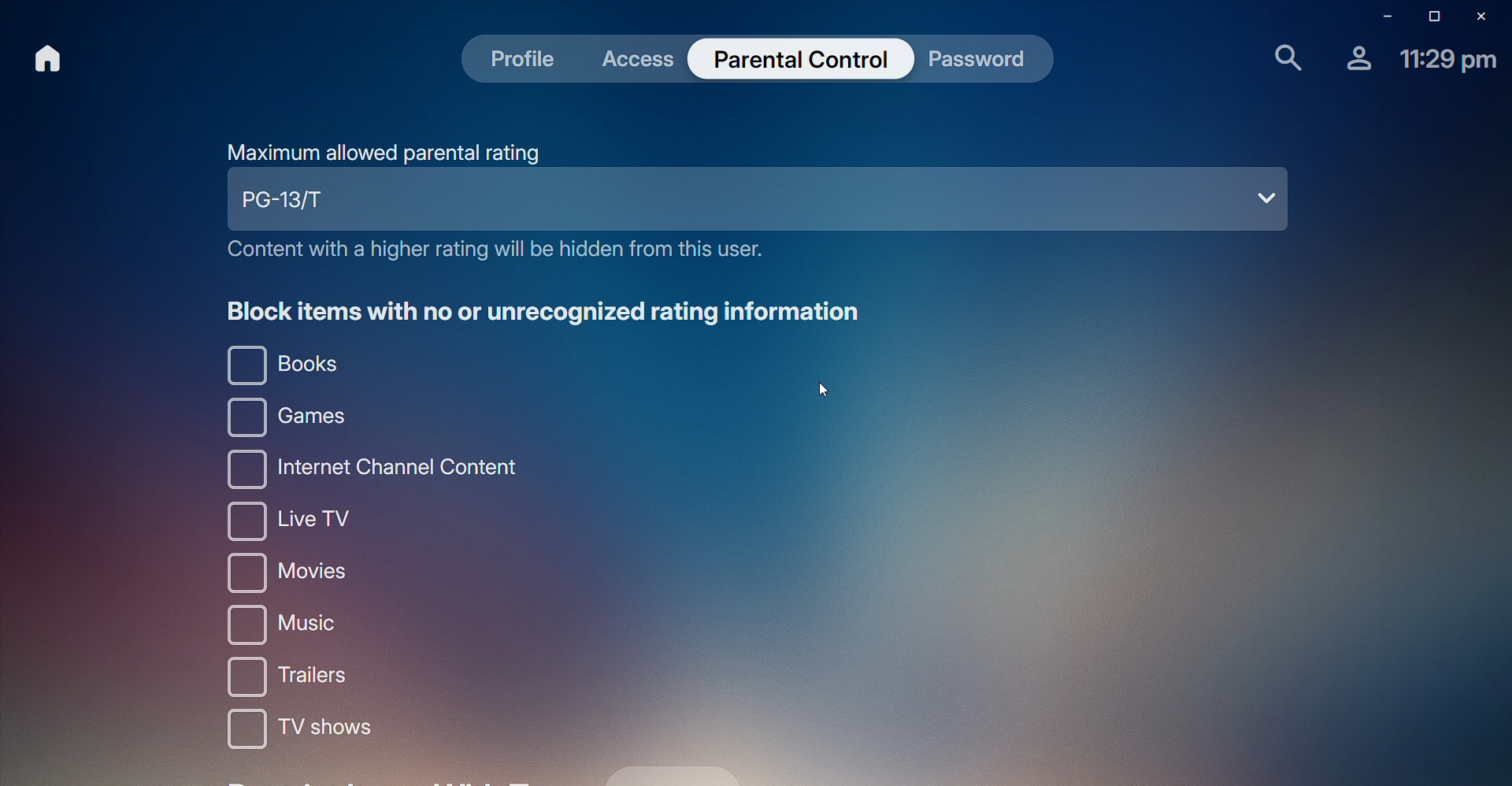 The image size is (1512, 786). Describe the element at coordinates (1354, 64) in the screenshot. I see `Profile` at that location.